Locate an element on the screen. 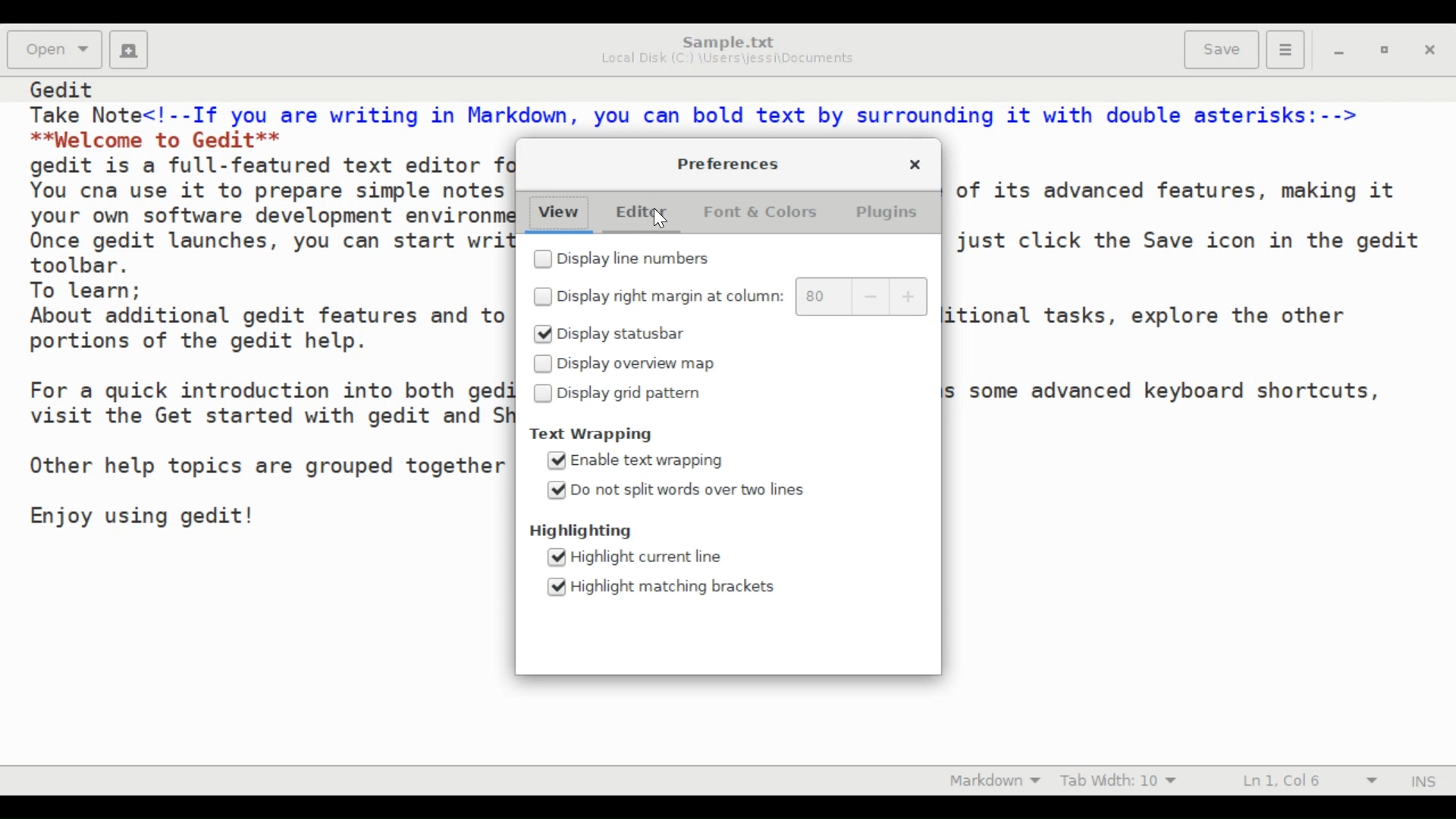  (un)select Highlight current line is located at coordinates (638, 555).